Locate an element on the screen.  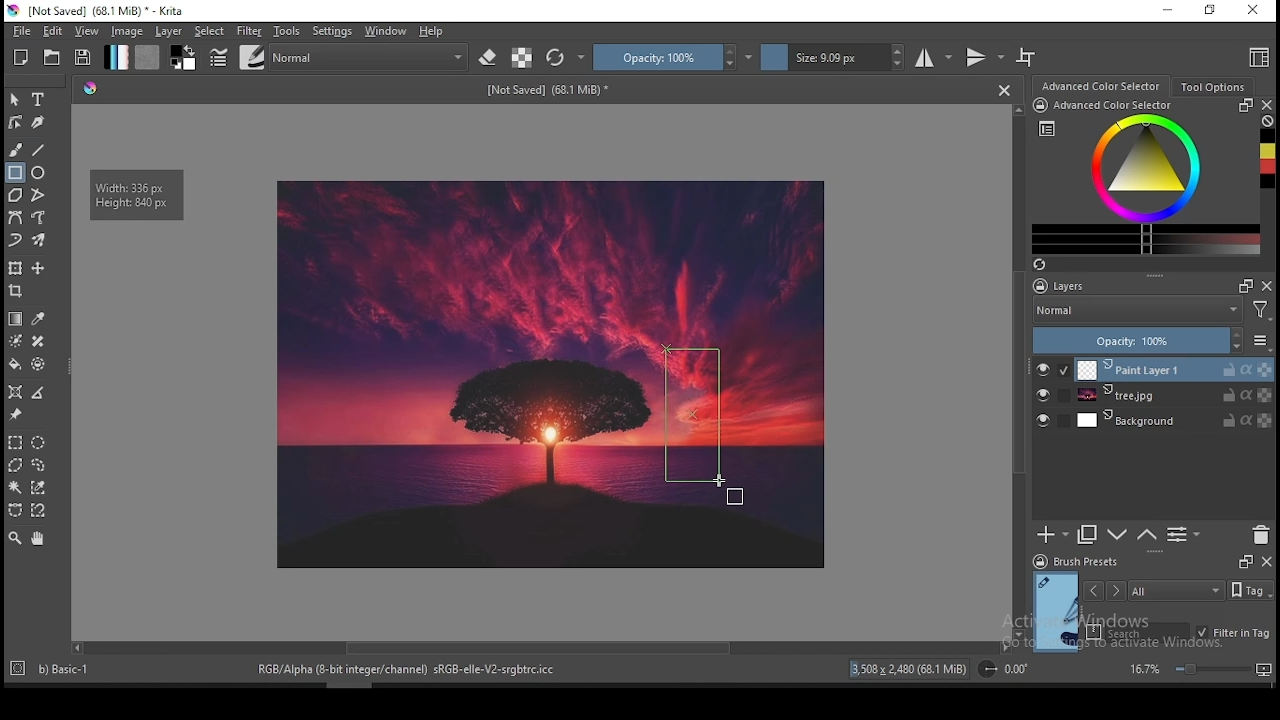
enclose and fill tool is located at coordinates (41, 364).